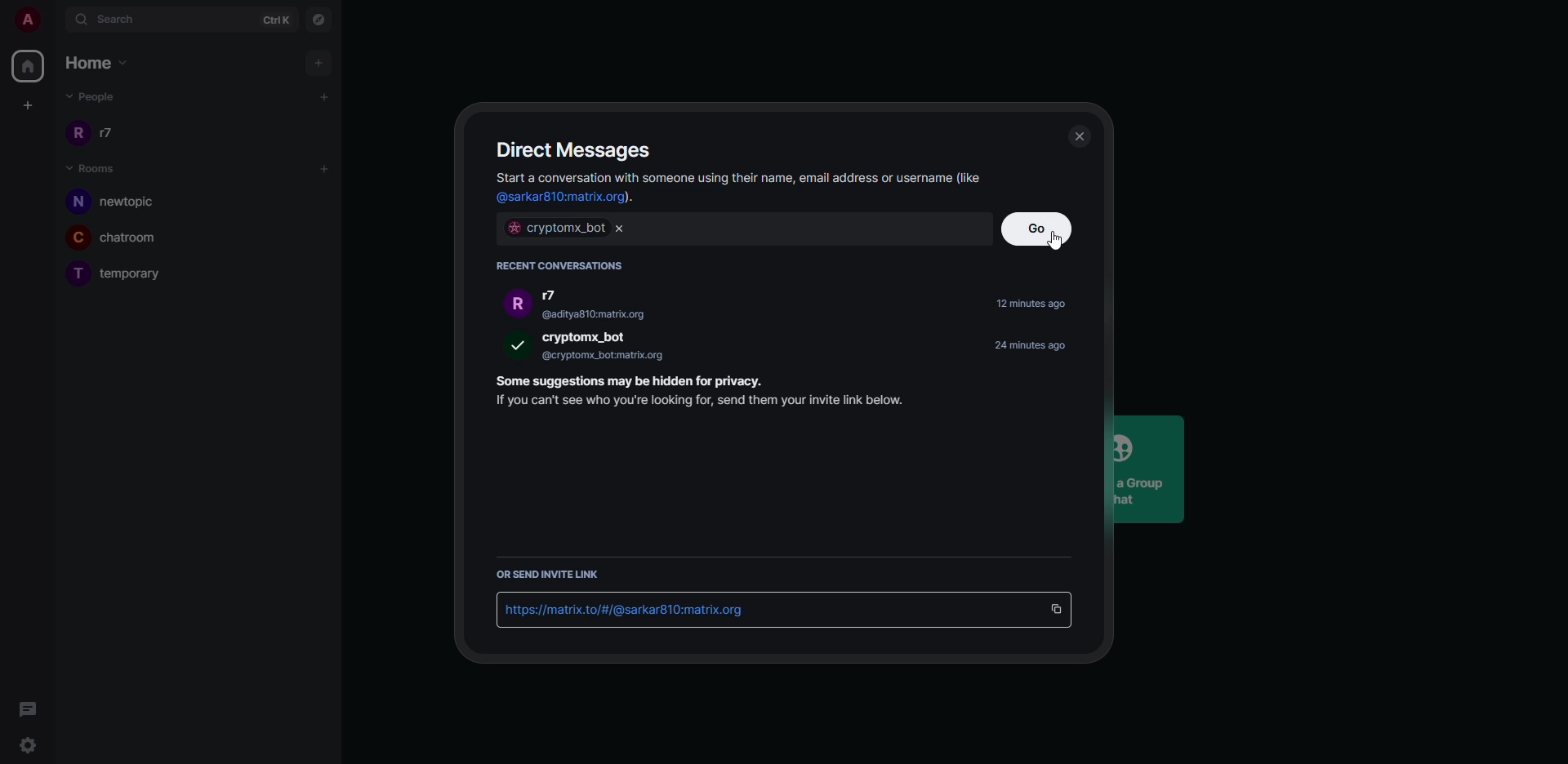 The height and width of the screenshot is (764, 1568). What do you see at coordinates (738, 177) in the screenshot?
I see `info` at bounding box center [738, 177].